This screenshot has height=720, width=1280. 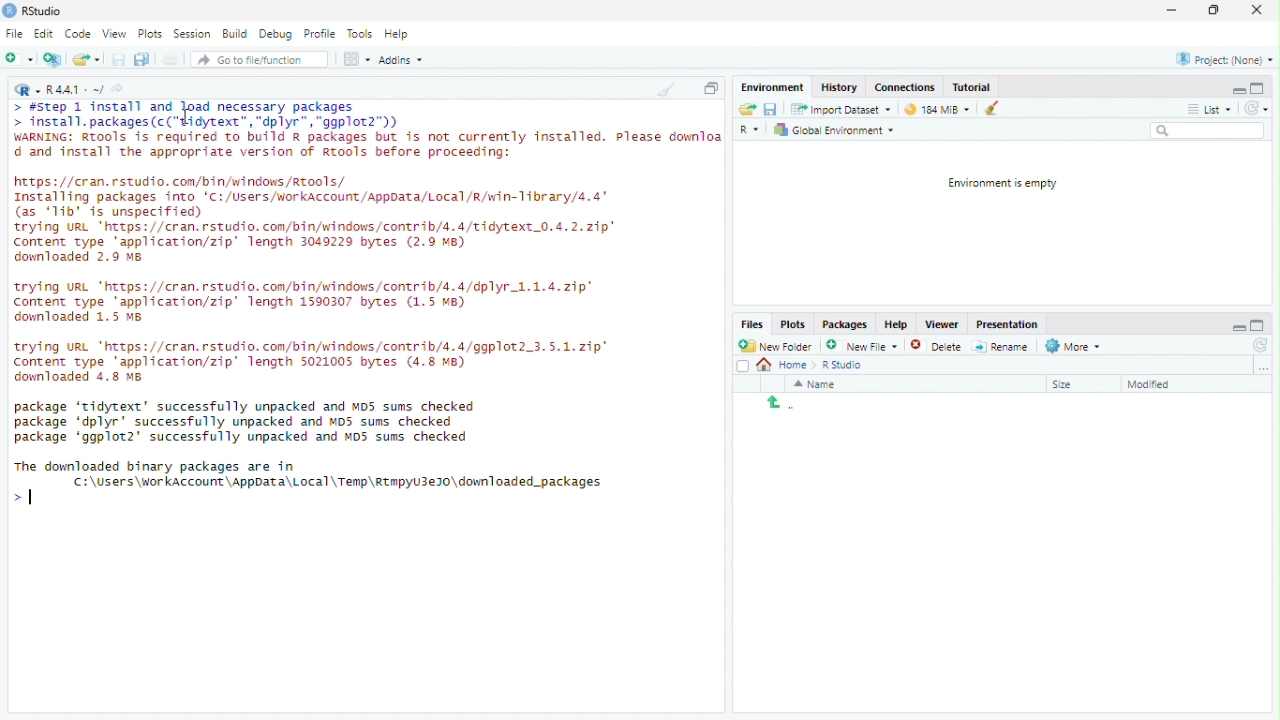 I want to click on Minimize, so click(x=1238, y=326).